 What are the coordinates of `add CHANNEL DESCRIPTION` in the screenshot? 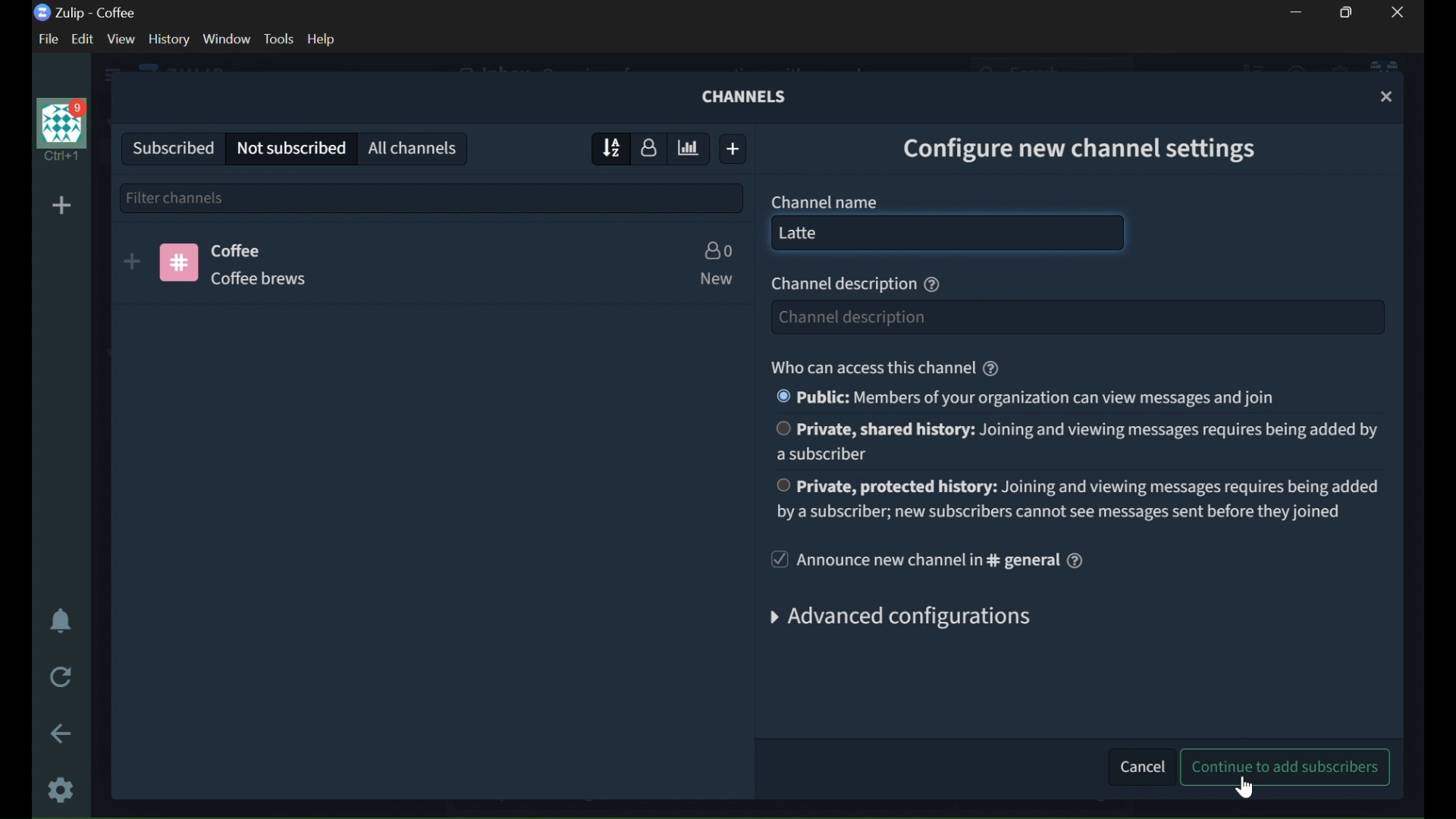 It's located at (1075, 317).